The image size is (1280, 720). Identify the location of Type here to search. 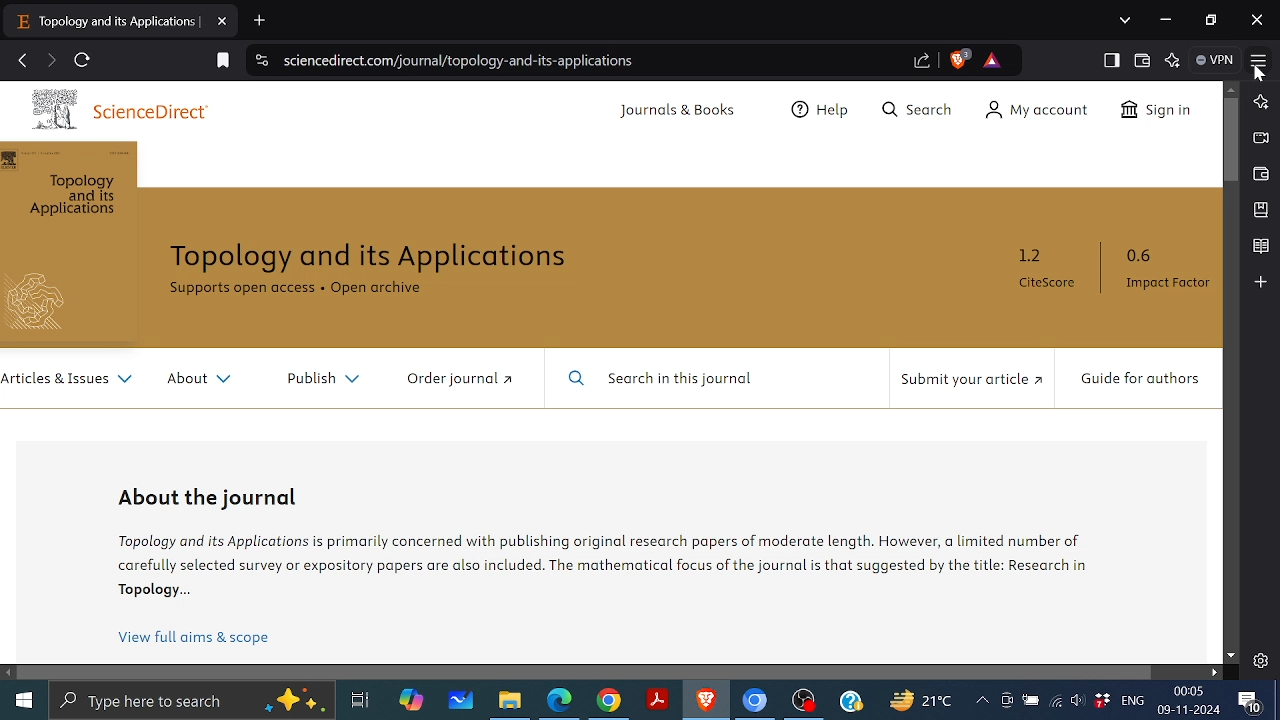
(194, 700).